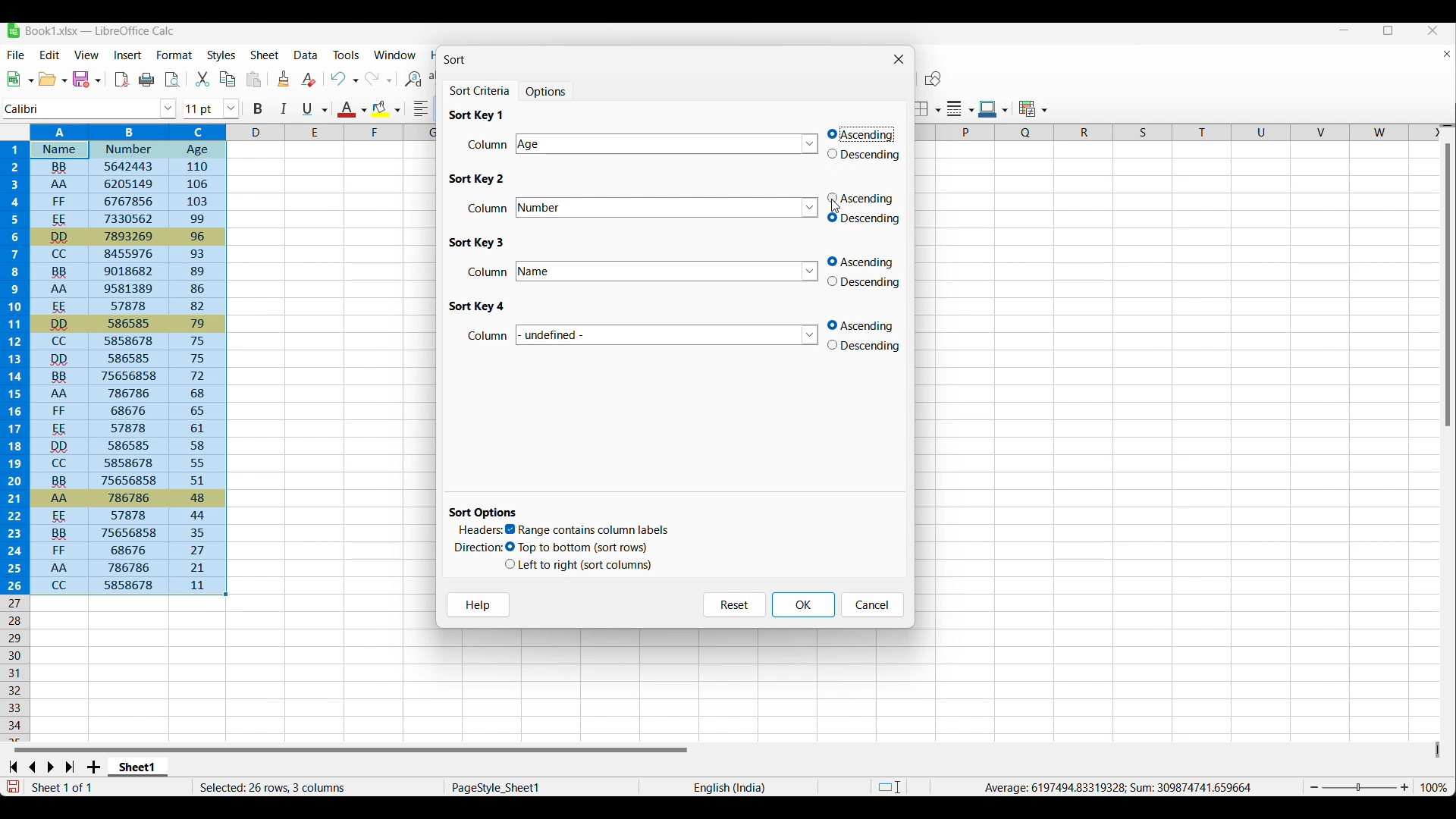 The height and width of the screenshot is (819, 1456). Describe the element at coordinates (379, 78) in the screenshot. I see `Redo and redo options` at that location.